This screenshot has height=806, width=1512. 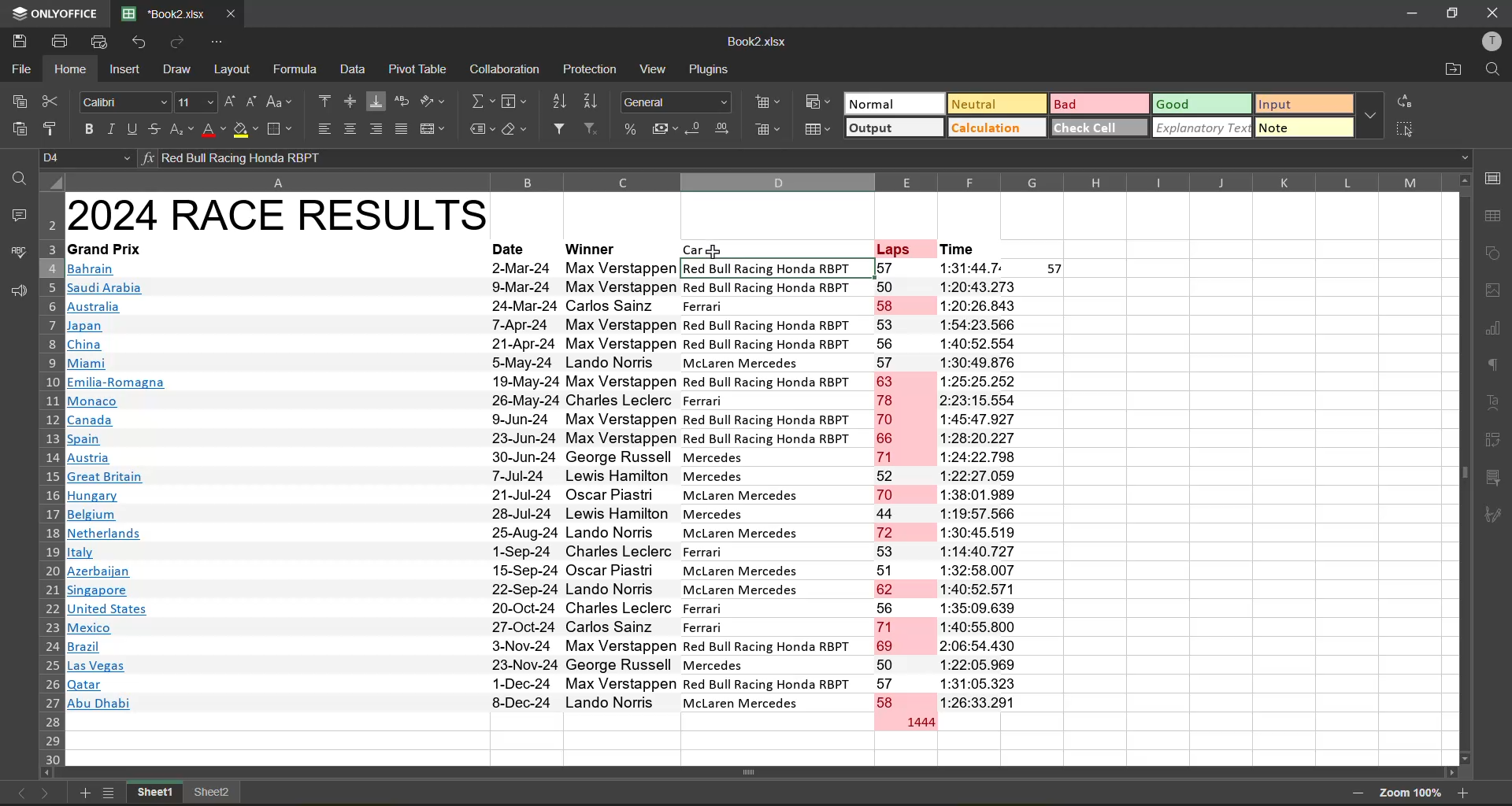 I want to click on formula bar, so click(x=803, y=160).